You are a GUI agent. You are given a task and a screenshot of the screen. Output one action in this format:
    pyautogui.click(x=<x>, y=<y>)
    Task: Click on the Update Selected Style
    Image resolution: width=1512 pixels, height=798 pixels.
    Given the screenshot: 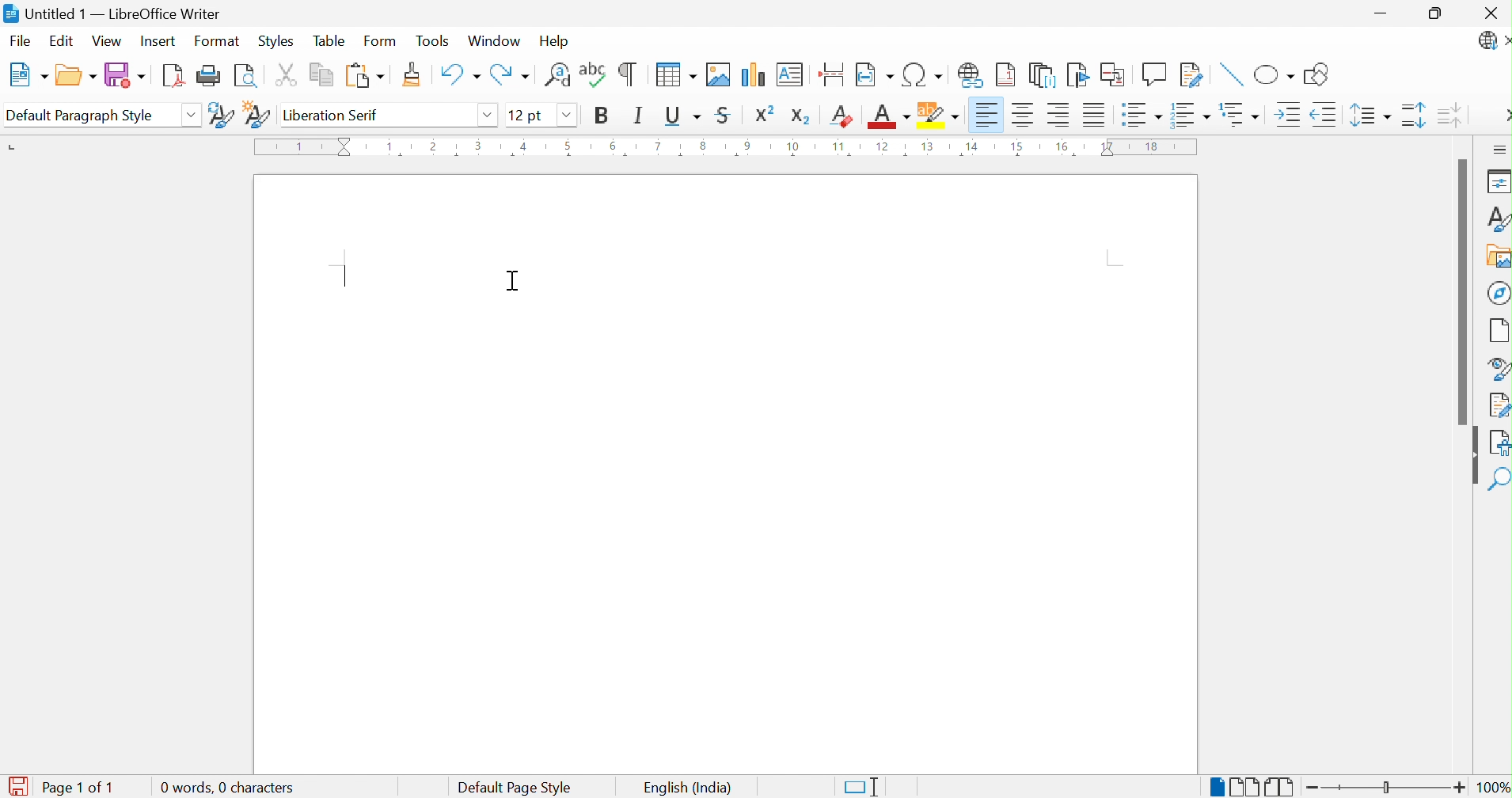 What is the action you would take?
    pyautogui.click(x=222, y=116)
    